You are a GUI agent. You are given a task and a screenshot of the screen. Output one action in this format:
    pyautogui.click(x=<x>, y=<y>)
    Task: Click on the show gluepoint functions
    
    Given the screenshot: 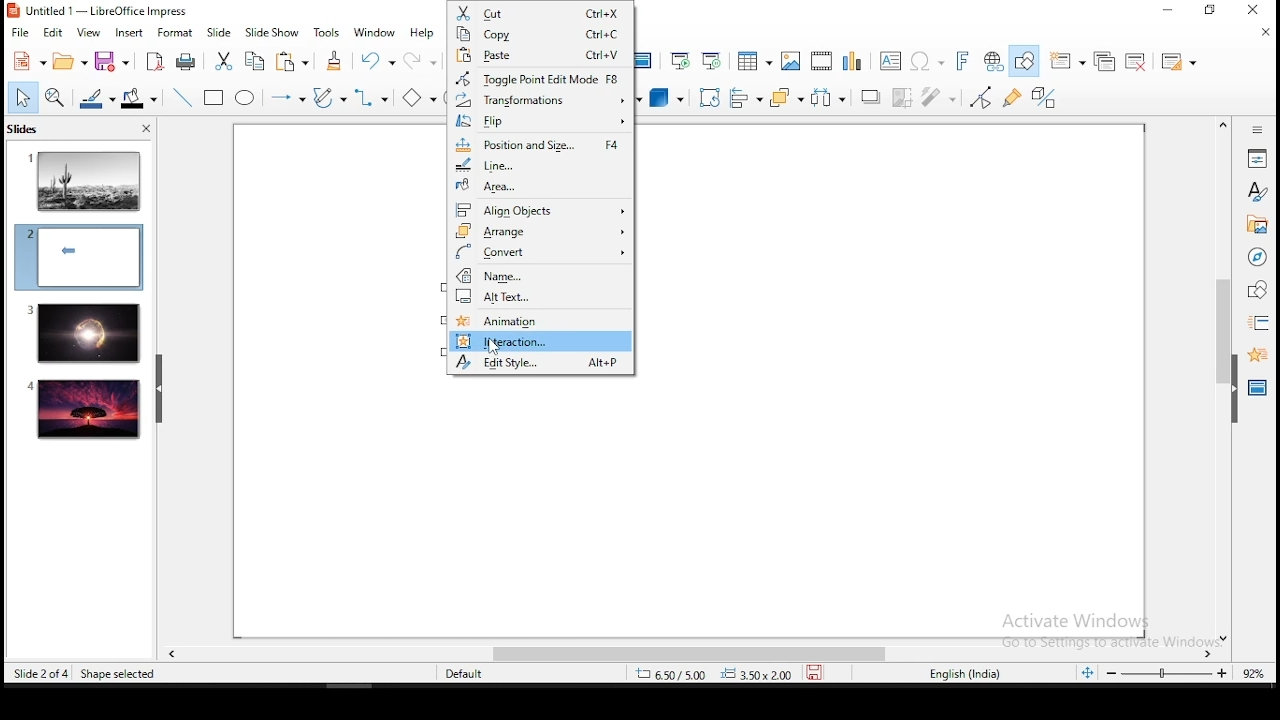 What is the action you would take?
    pyautogui.click(x=1017, y=97)
    